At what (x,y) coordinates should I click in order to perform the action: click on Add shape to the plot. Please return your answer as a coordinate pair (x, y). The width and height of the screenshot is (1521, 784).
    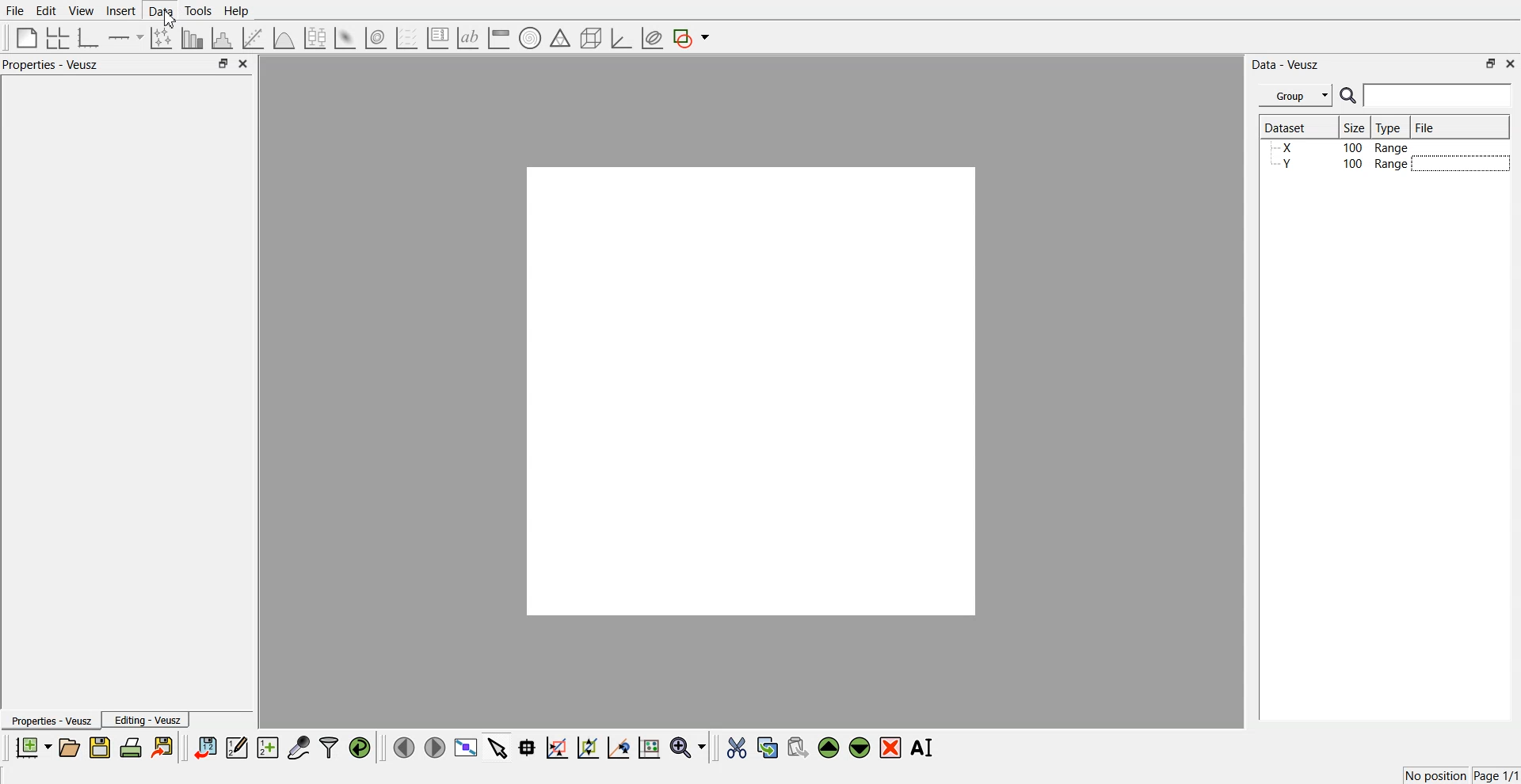
    Looking at the image, I should click on (691, 38).